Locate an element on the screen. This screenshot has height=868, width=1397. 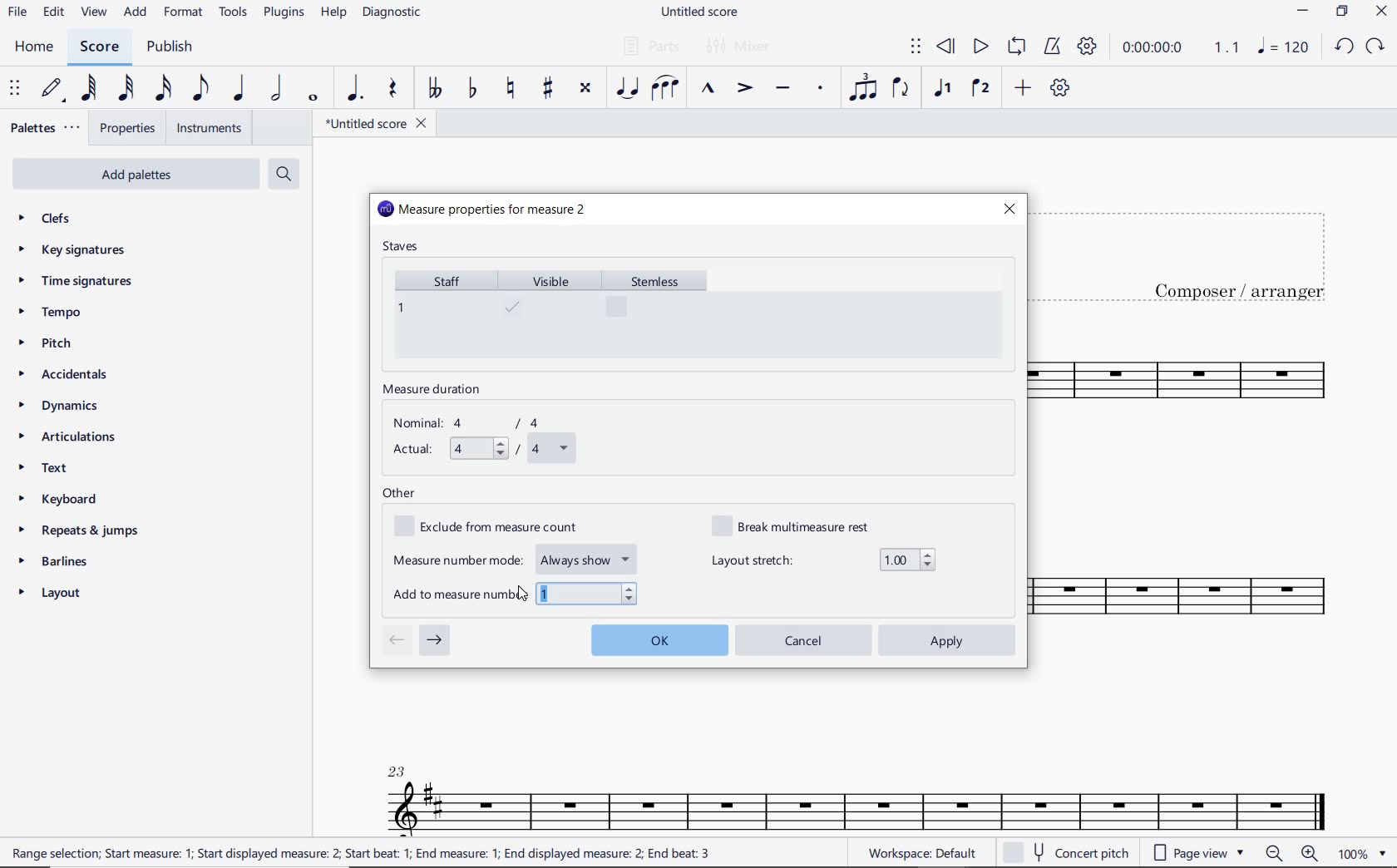
CUSTOMIZE TOOLBAR is located at coordinates (1060, 88).